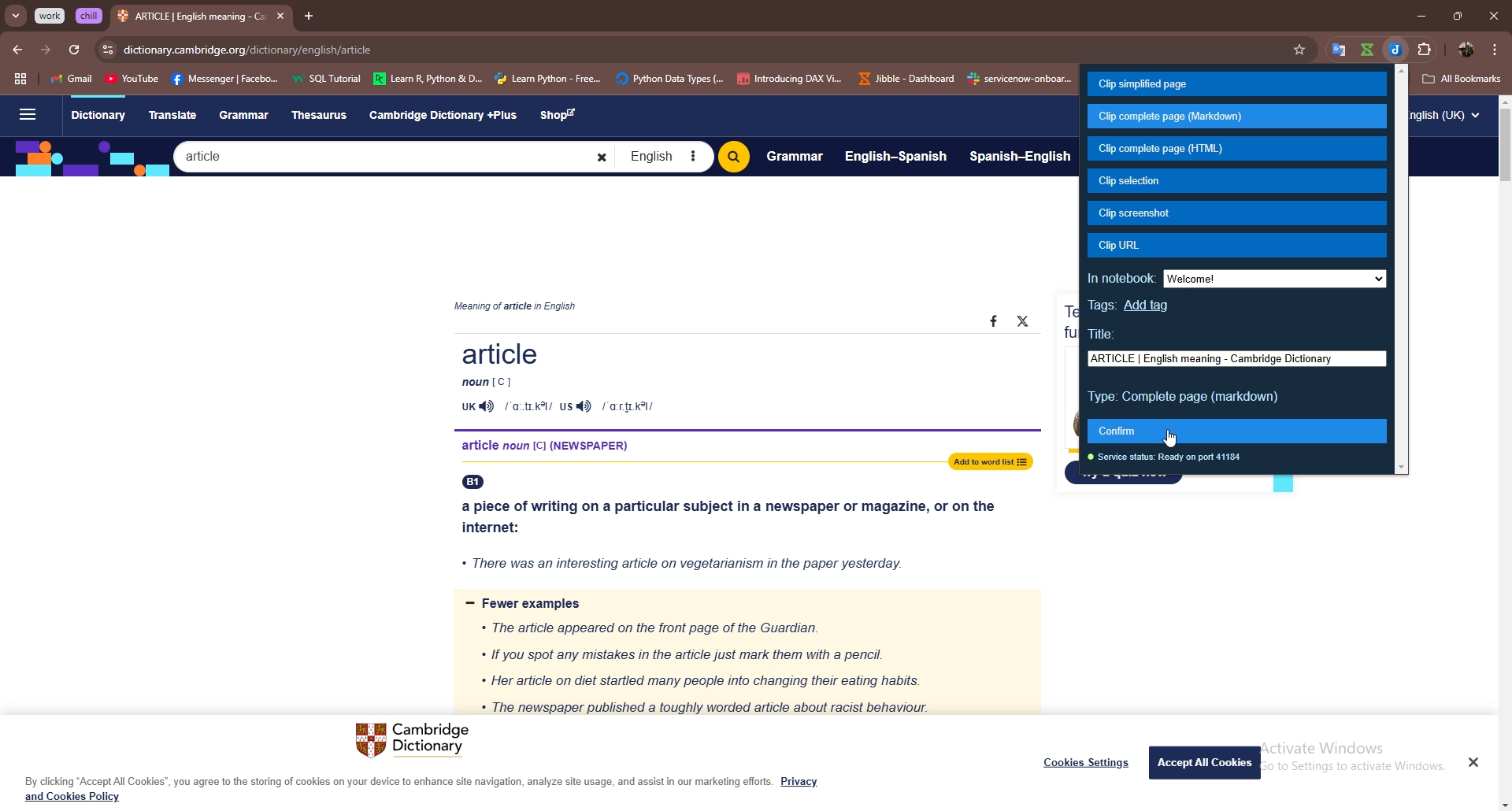  What do you see at coordinates (324, 116) in the screenshot?
I see `Thesaurus.` at bounding box center [324, 116].